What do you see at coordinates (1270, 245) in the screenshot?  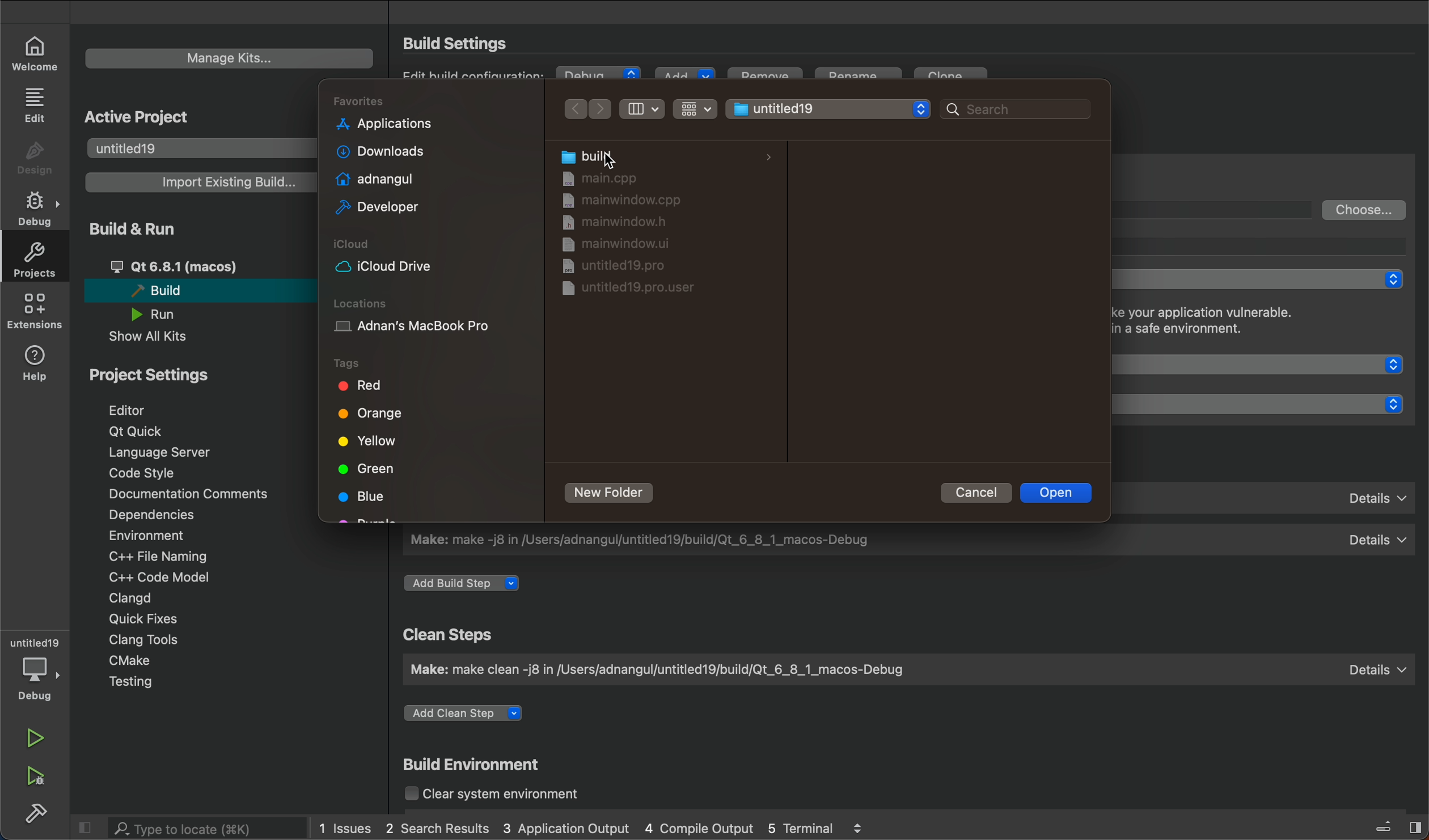 I see `tooltp` at bounding box center [1270, 245].